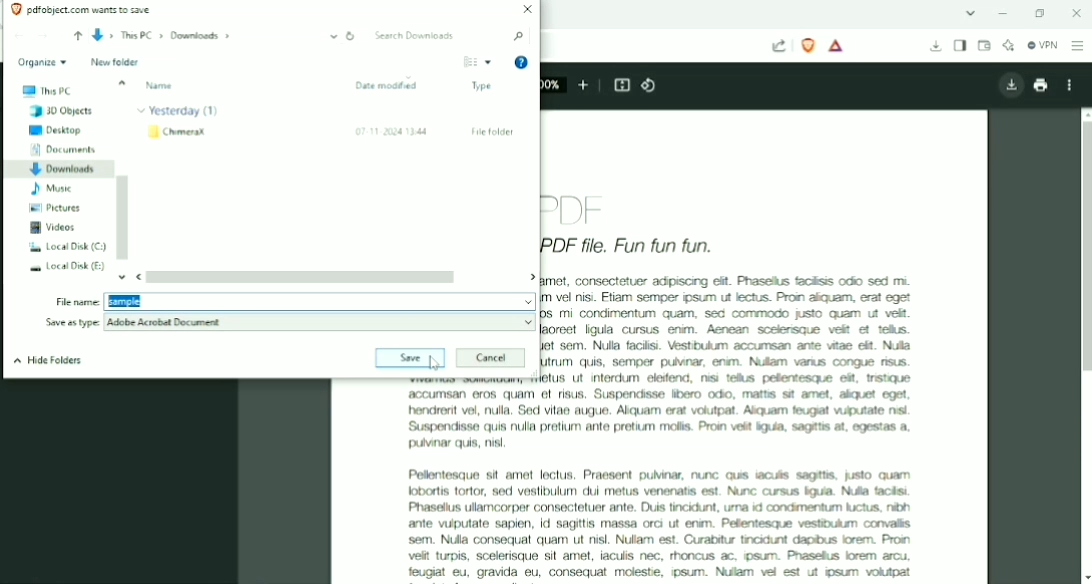 This screenshot has height=584, width=1092. I want to click on Local Disk (E:), so click(67, 266).